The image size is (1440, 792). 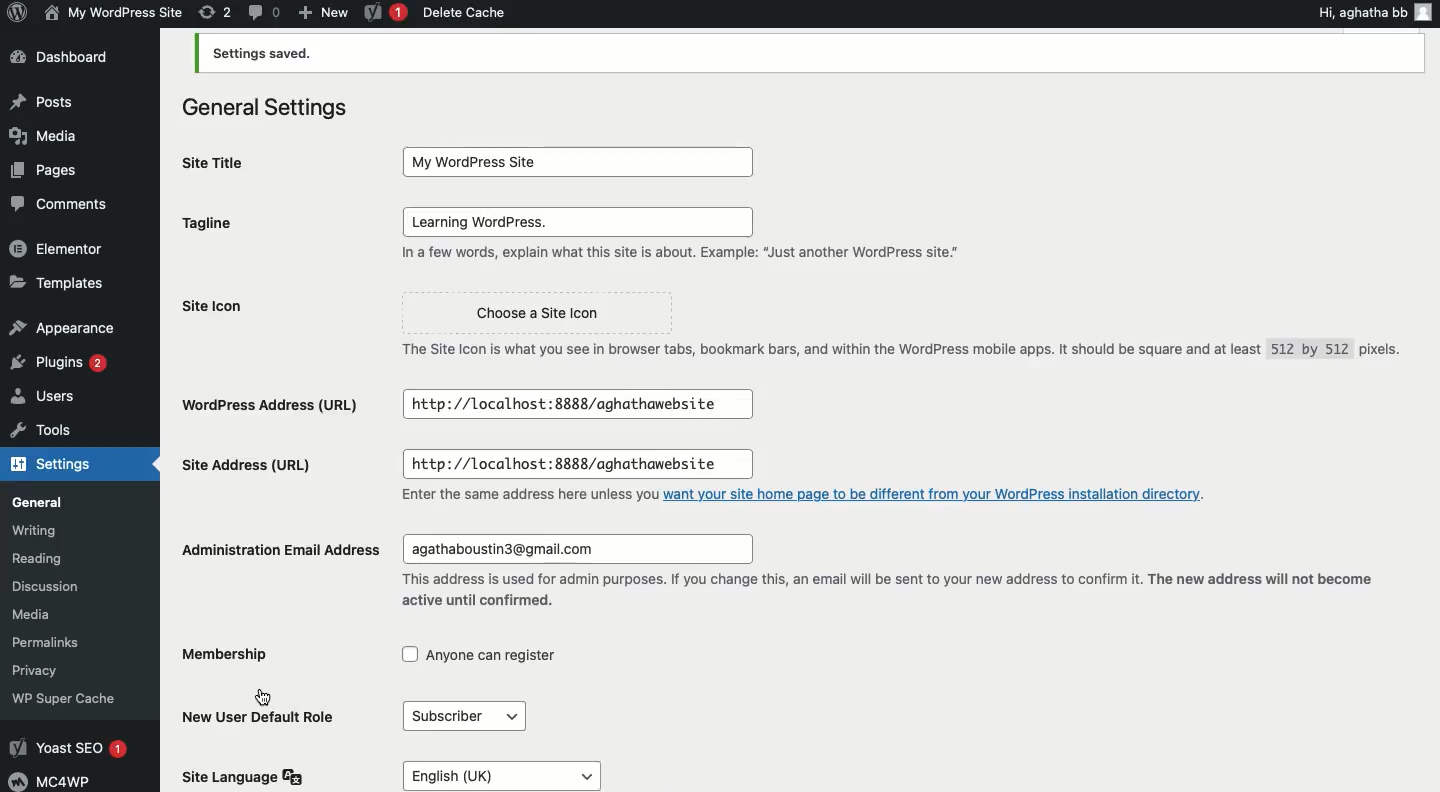 I want to click on Site address (URL), so click(x=275, y=462).